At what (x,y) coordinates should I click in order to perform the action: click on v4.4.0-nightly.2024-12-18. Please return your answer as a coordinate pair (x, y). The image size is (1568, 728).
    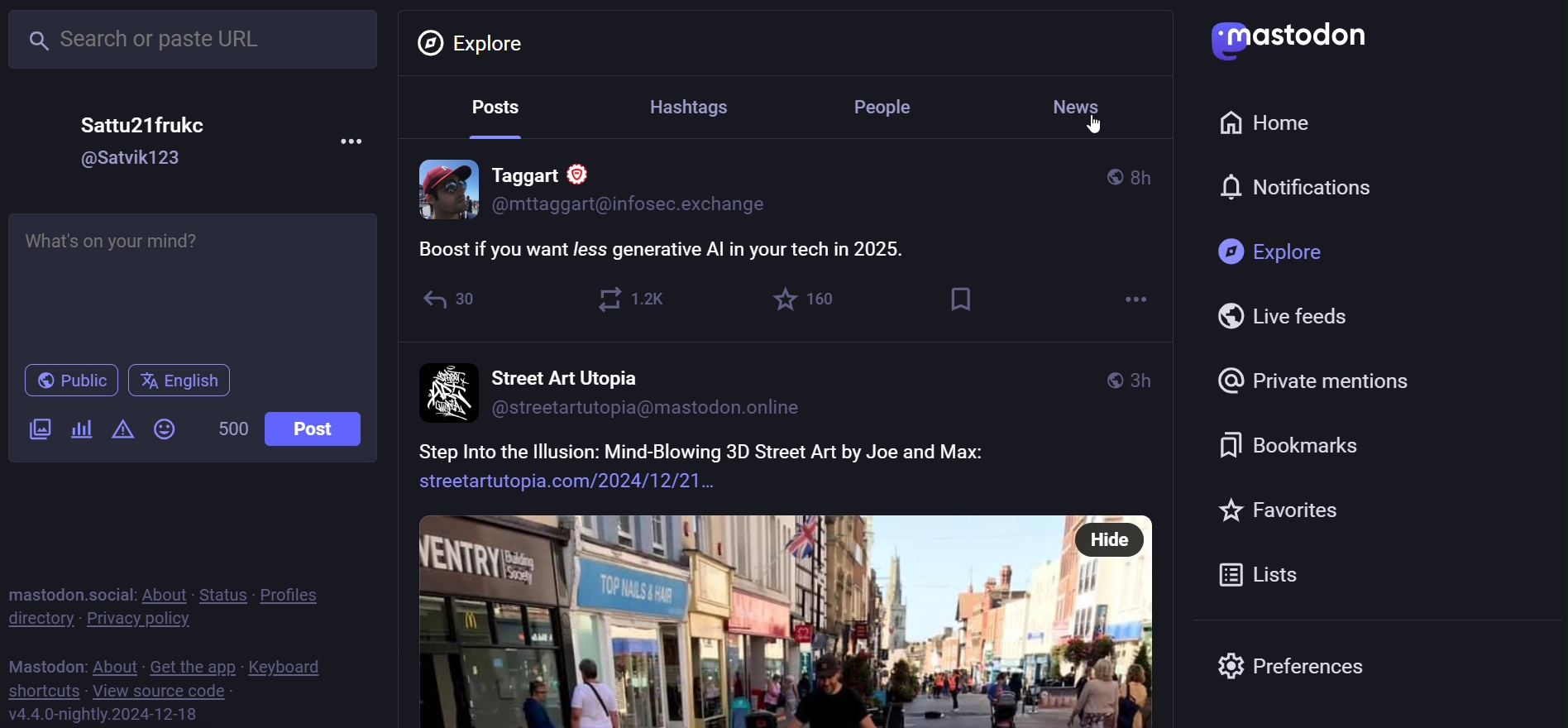
    Looking at the image, I should click on (99, 716).